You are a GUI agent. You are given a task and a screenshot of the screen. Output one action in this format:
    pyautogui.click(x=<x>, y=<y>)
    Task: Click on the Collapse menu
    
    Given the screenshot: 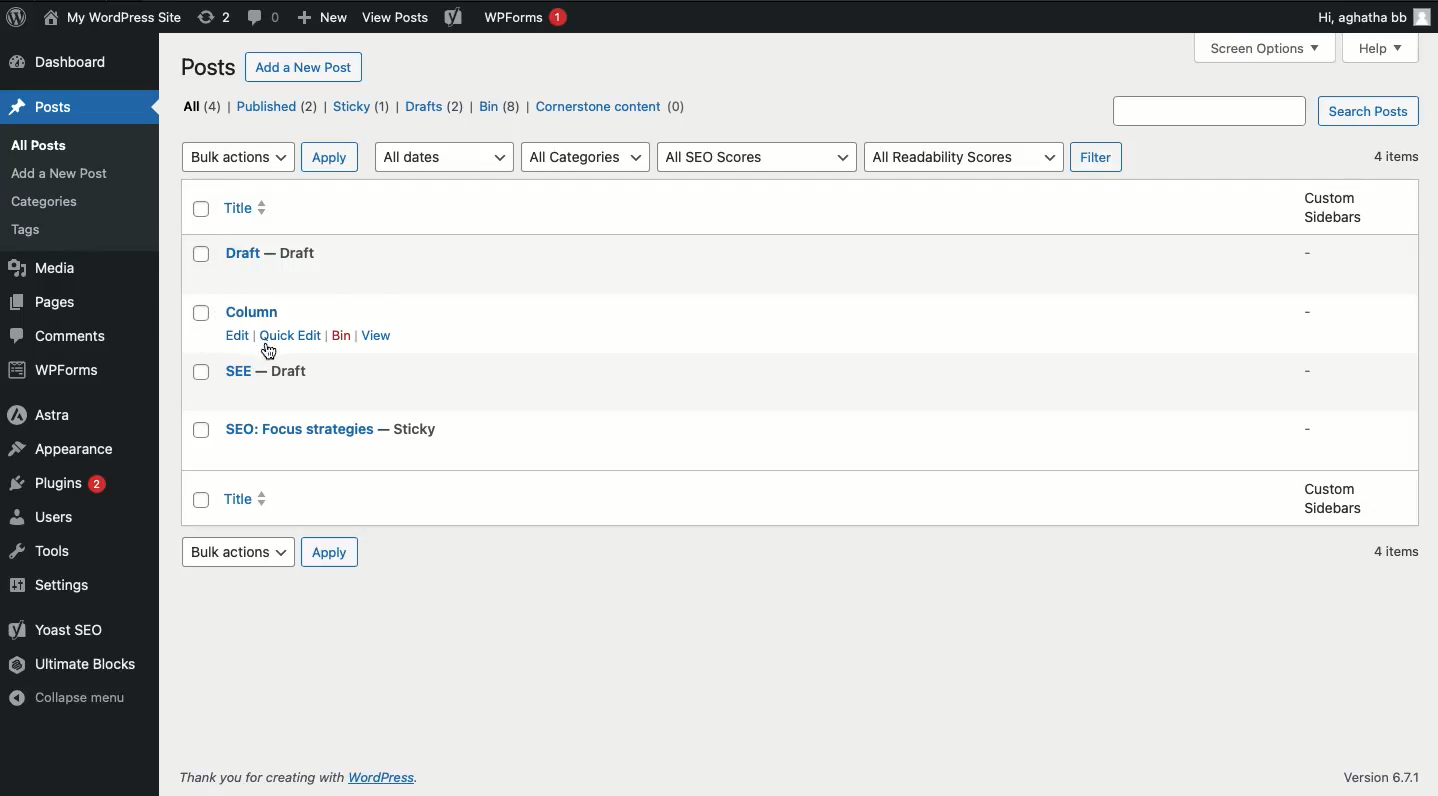 What is the action you would take?
    pyautogui.click(x=74, y=702)
    